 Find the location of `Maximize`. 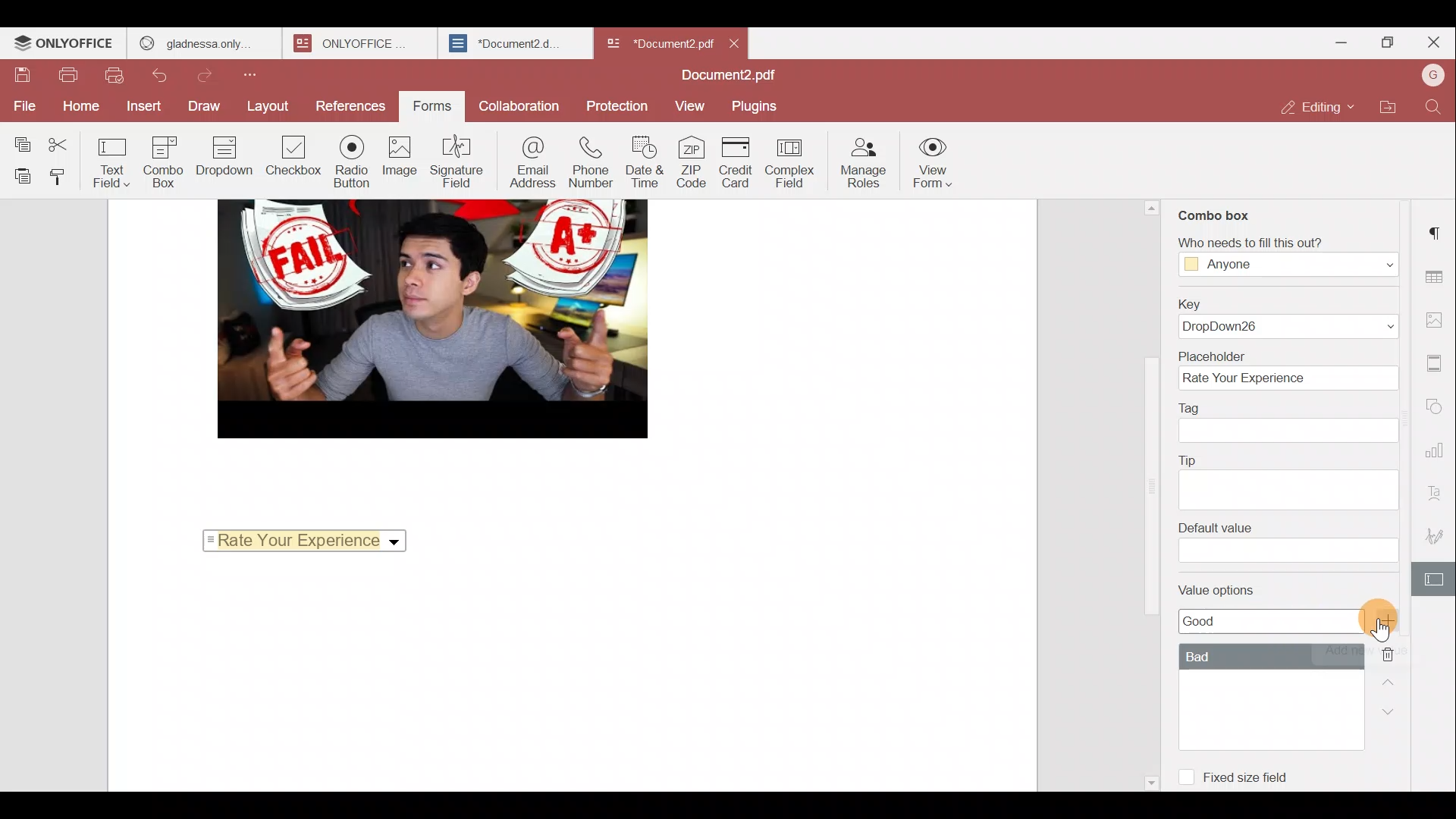

Maximize is located at coordinates (1383, 44).